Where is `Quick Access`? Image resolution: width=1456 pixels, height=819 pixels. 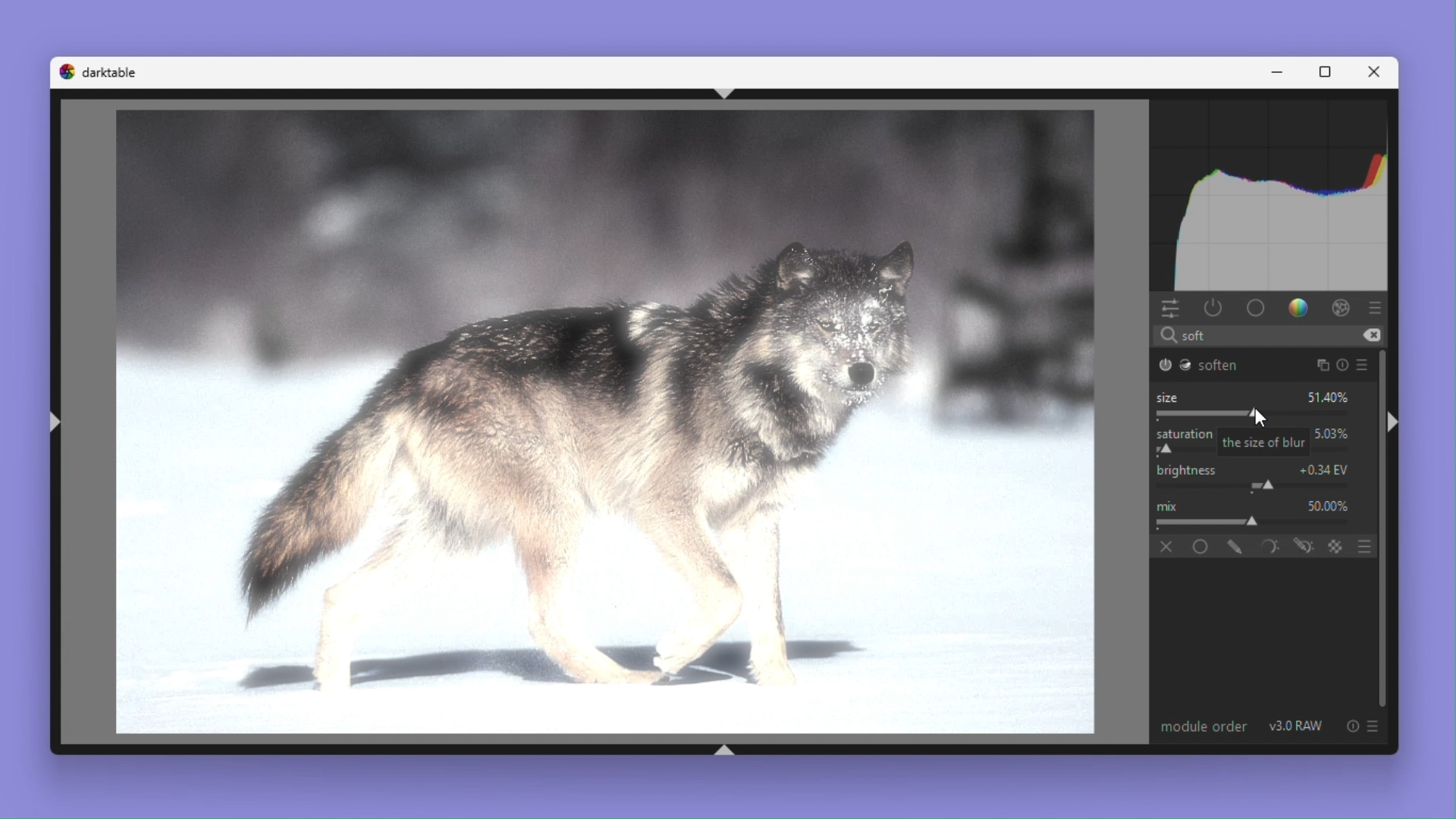
Quick Access is located at coordinates (1170, 309).